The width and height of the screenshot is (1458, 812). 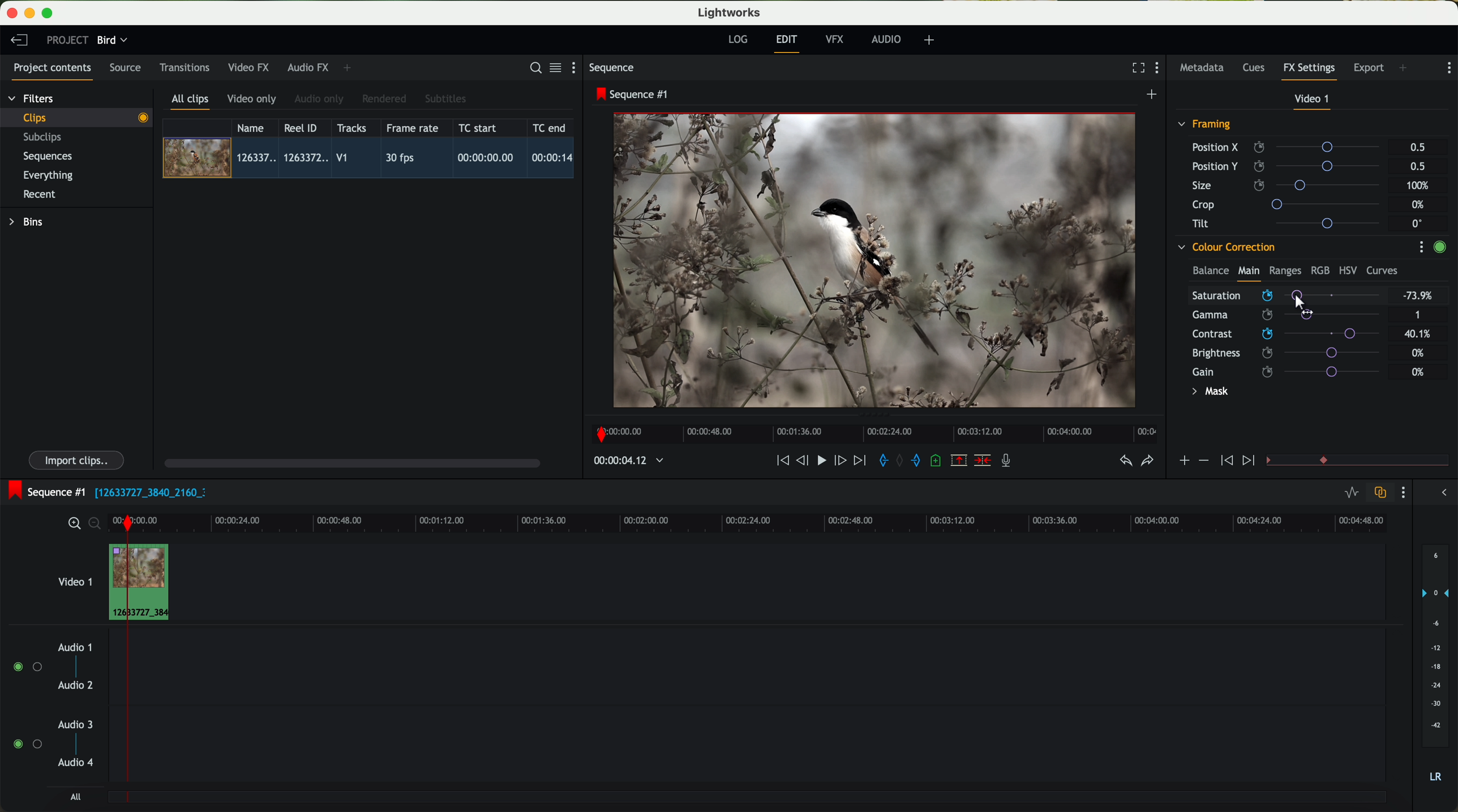 What do you see at coordinates (308, 67) in the screenshot?
I see `audio FX` at bounding box center [308, 67].